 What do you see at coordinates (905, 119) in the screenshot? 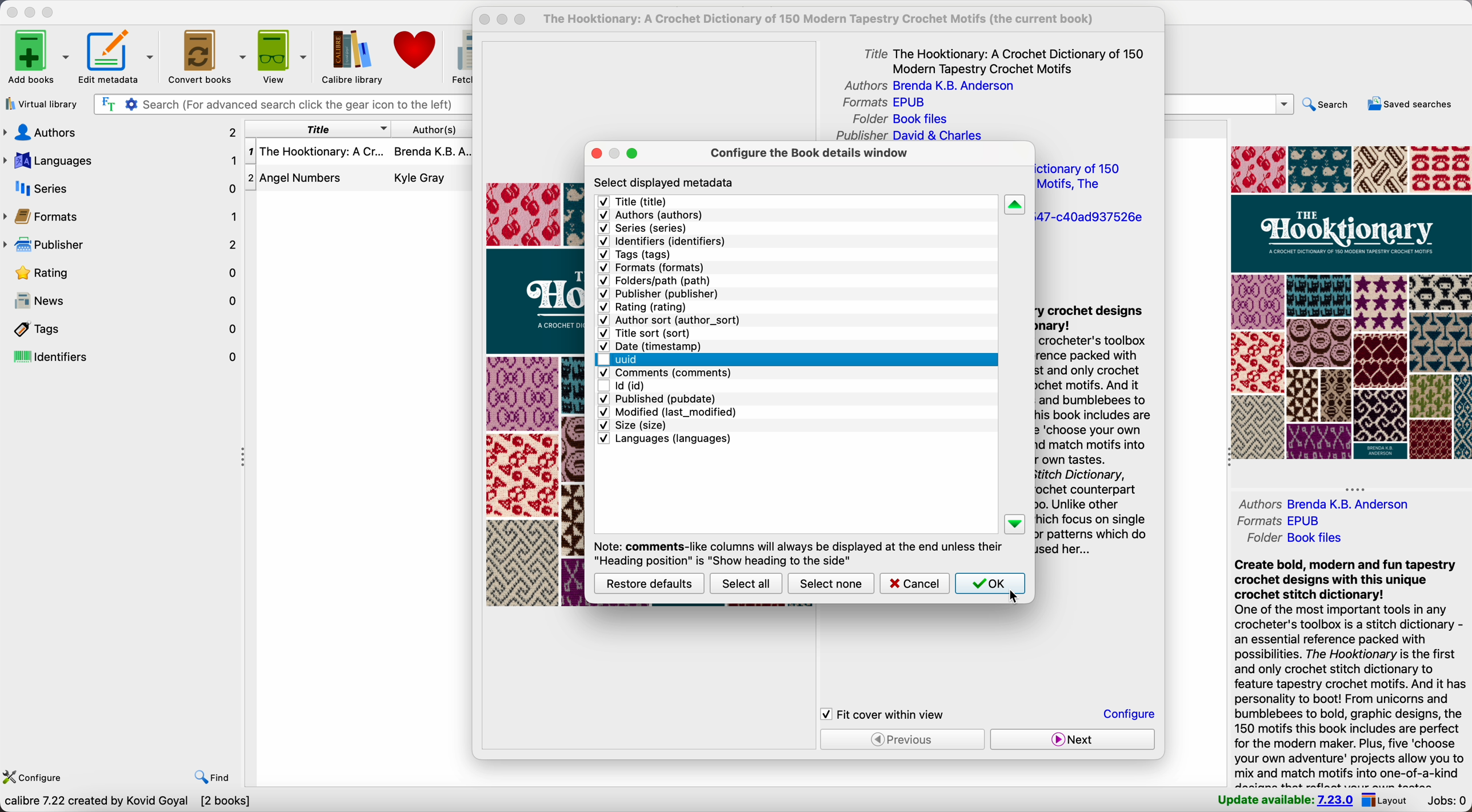
I see `folder` at bounding box center [905, 119].